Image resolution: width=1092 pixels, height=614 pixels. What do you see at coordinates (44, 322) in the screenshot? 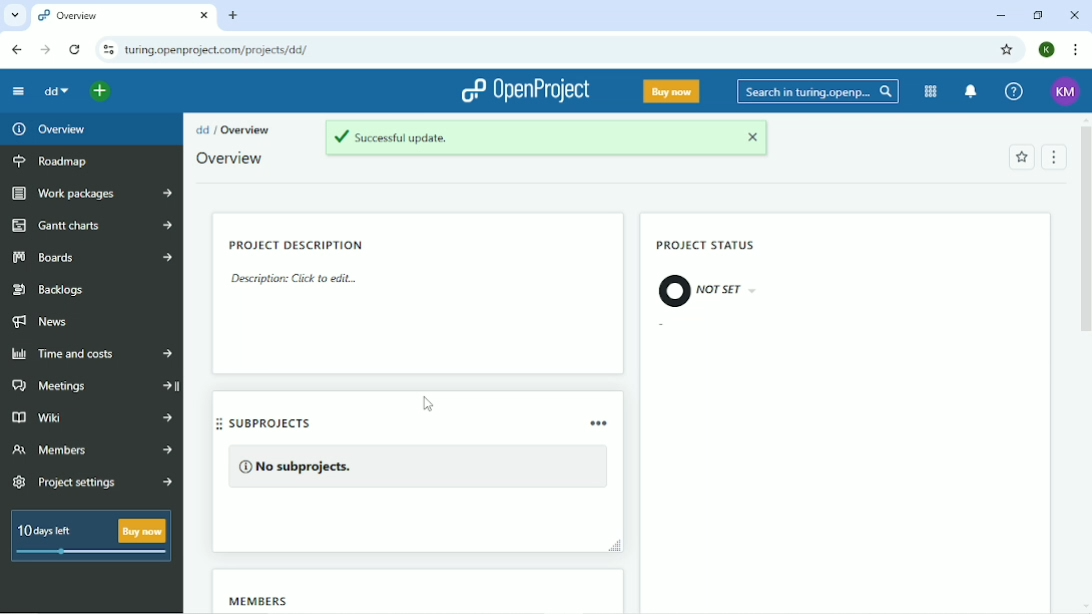
I see `News` at bounding box center [44, 322].